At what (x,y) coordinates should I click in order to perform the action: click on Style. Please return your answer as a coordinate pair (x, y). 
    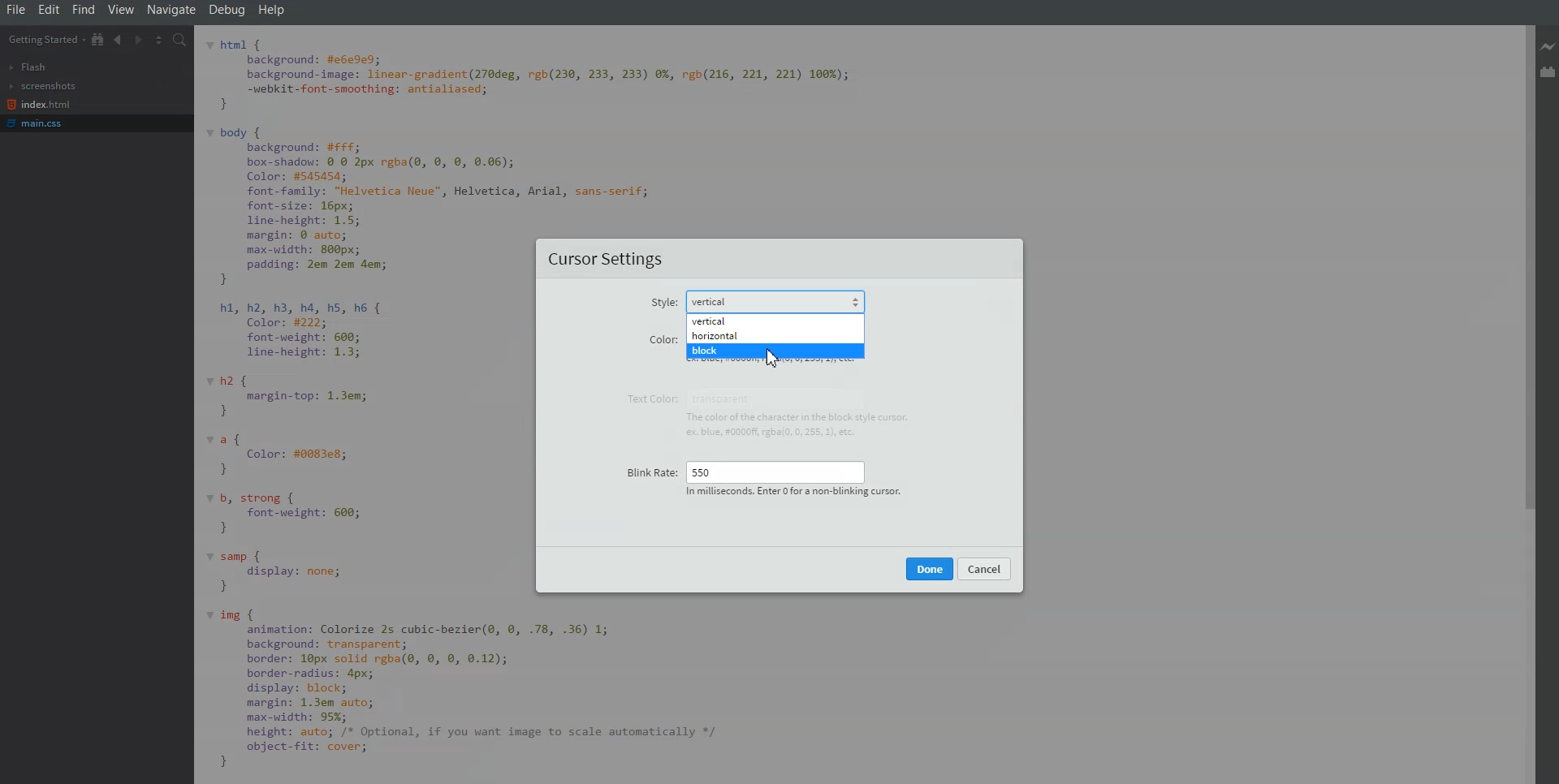
    Looking at the image, I should click on (663, 304).